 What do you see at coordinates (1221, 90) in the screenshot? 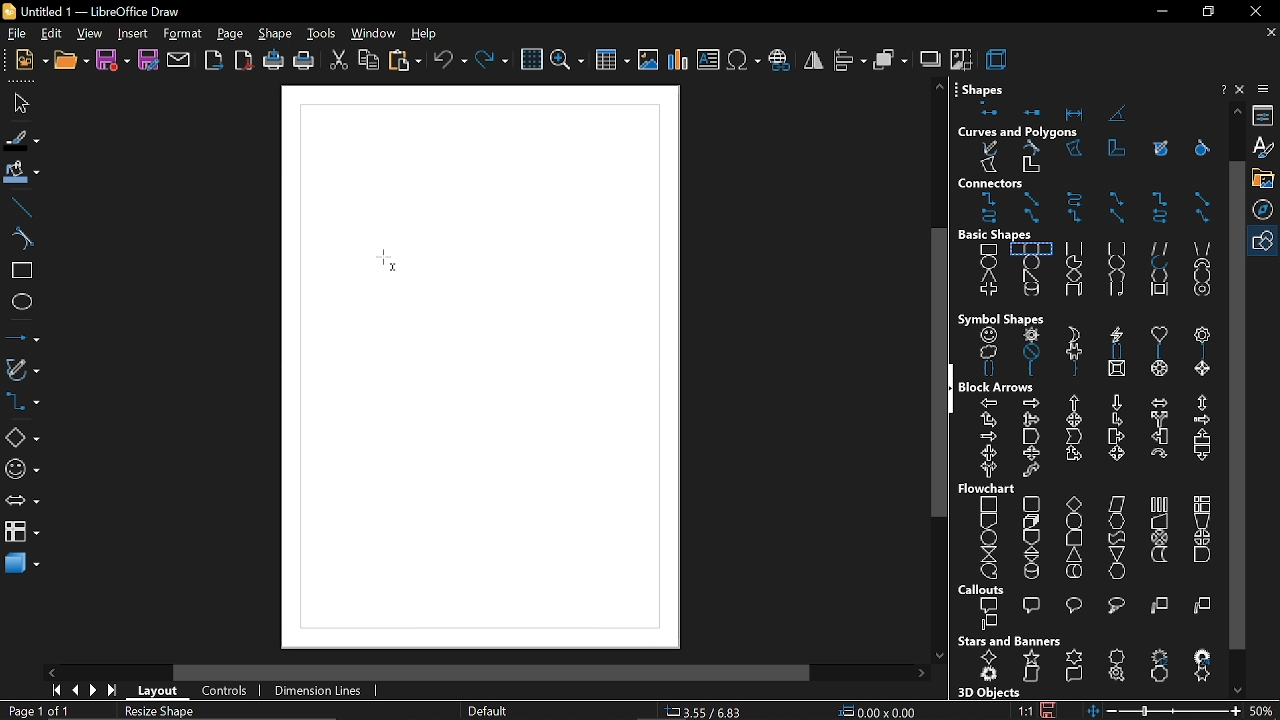
I see `help` at bounding box center [1221, 90].